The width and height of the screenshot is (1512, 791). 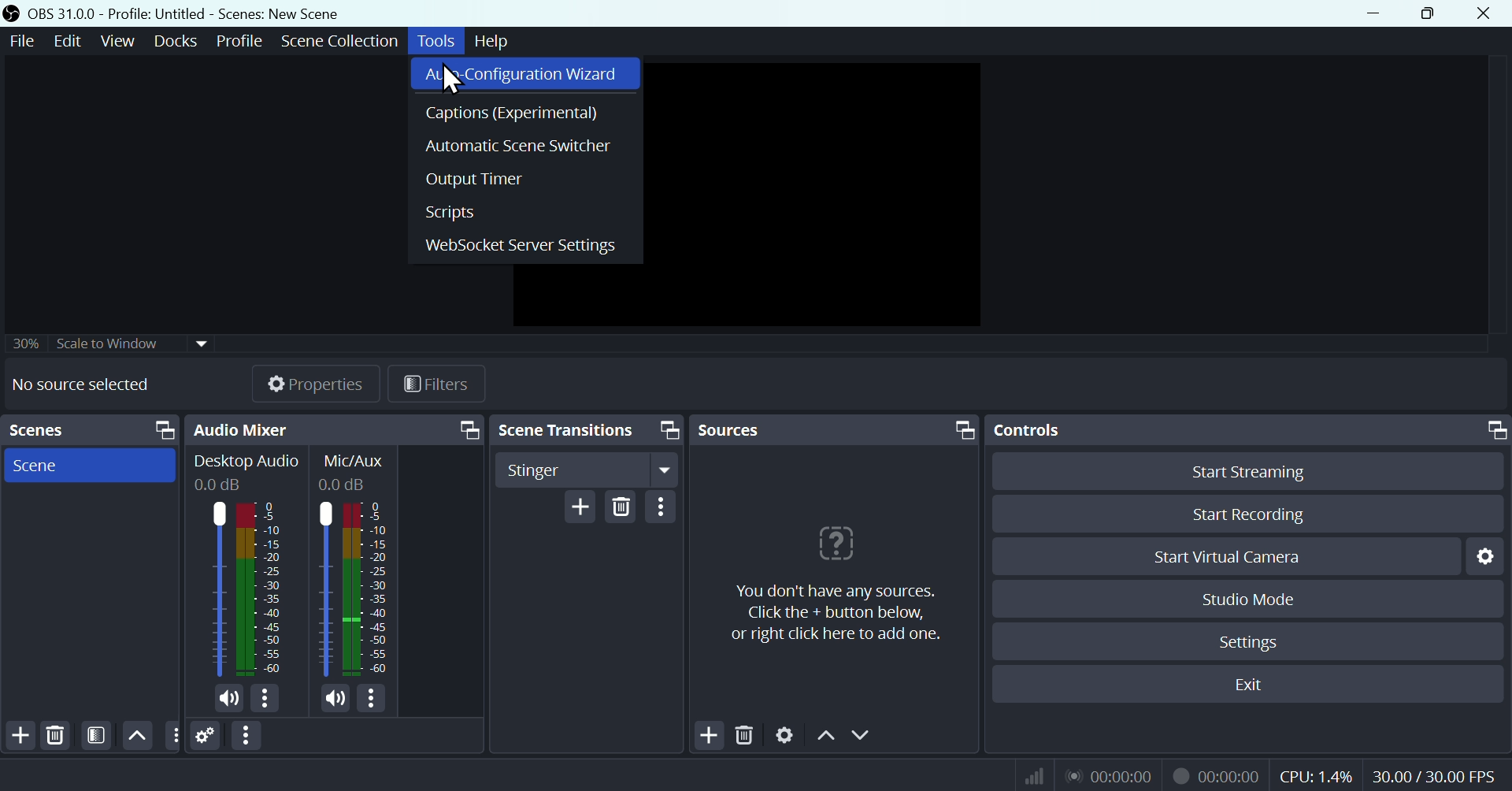 I want to click on Audio mixer, so click(x=246, y=567).